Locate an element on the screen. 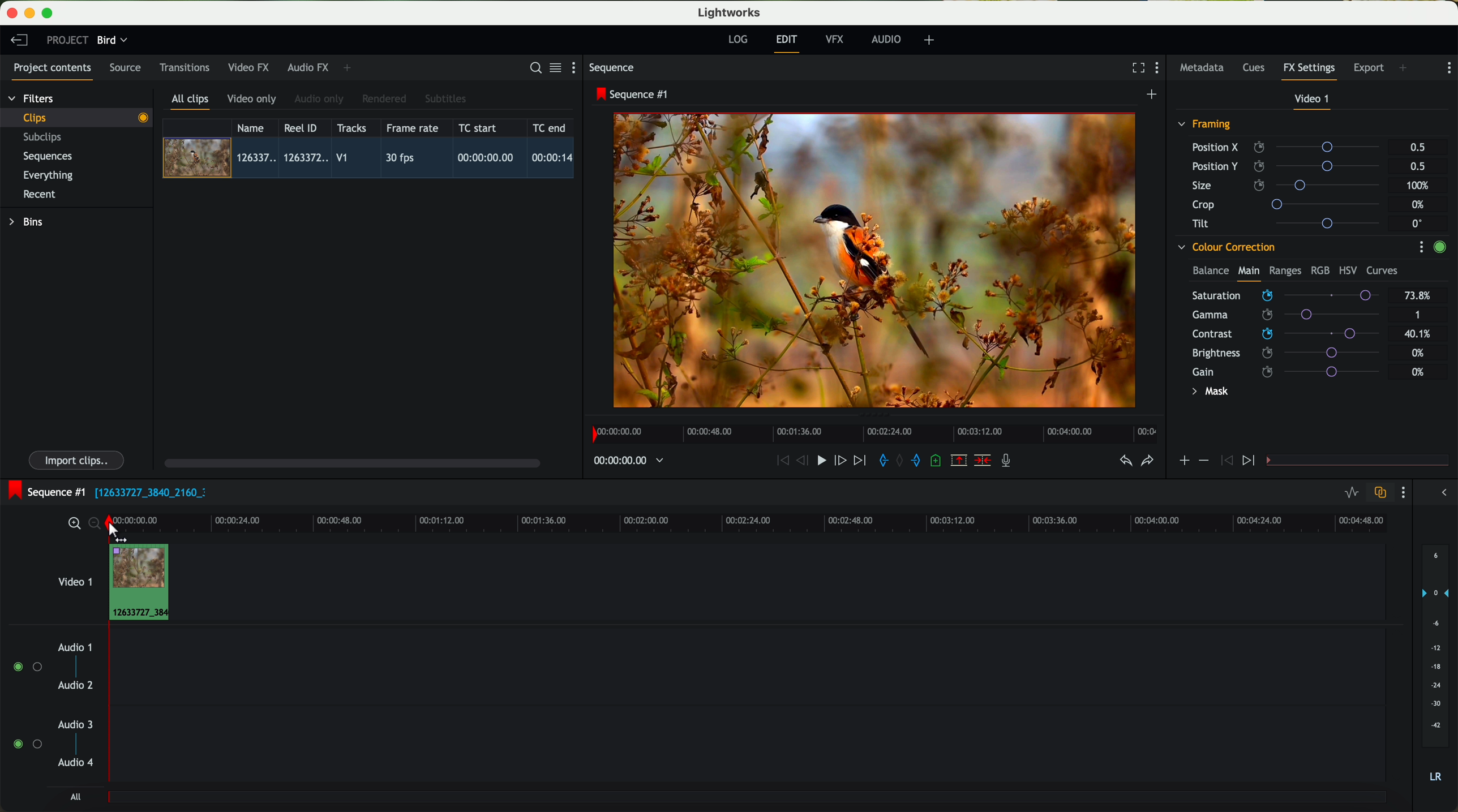 This screenshot has width=1458, height=812. bird is located at coordinates (112, 41).